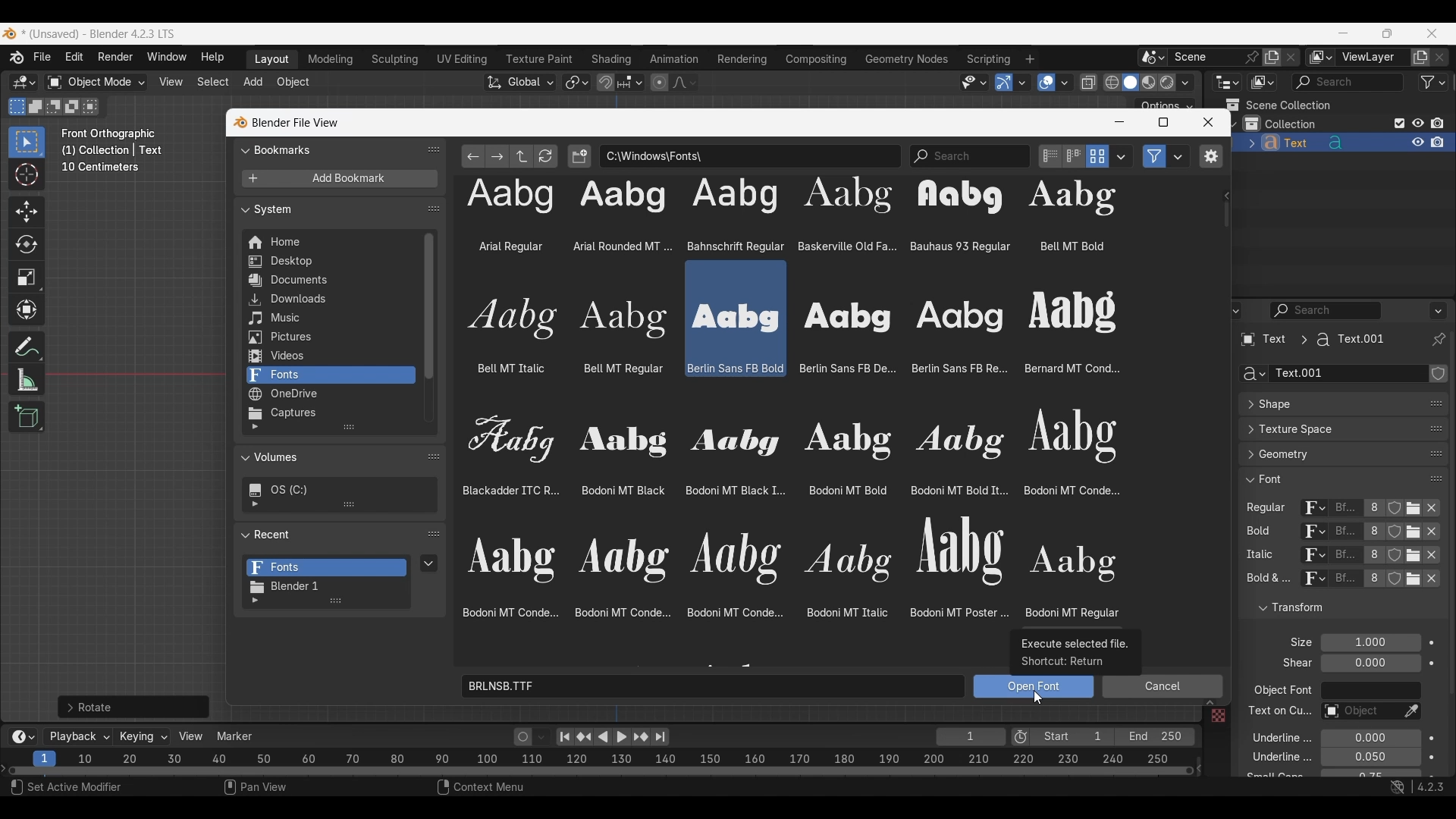 Image resolution: width=1456 pixels, height=819 pixels. I want to click on Display settings, vertical list, so click(1050, 156).